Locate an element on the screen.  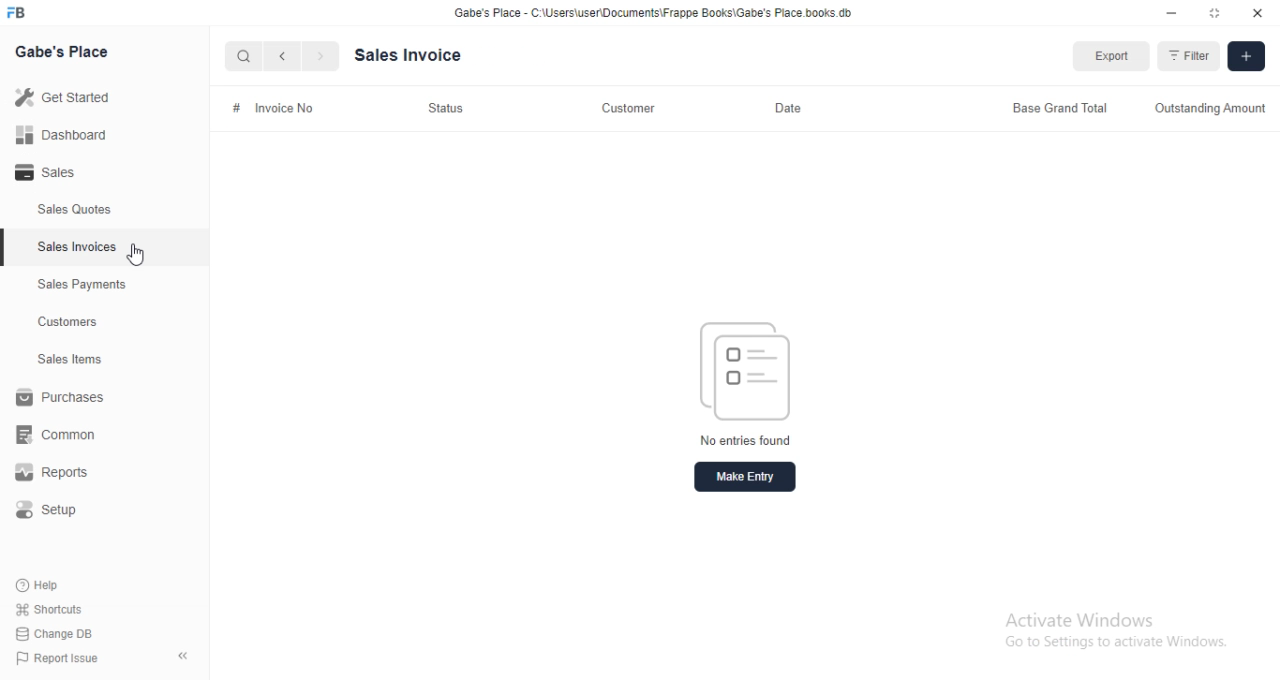
Status is located at coordinates (447, 108).